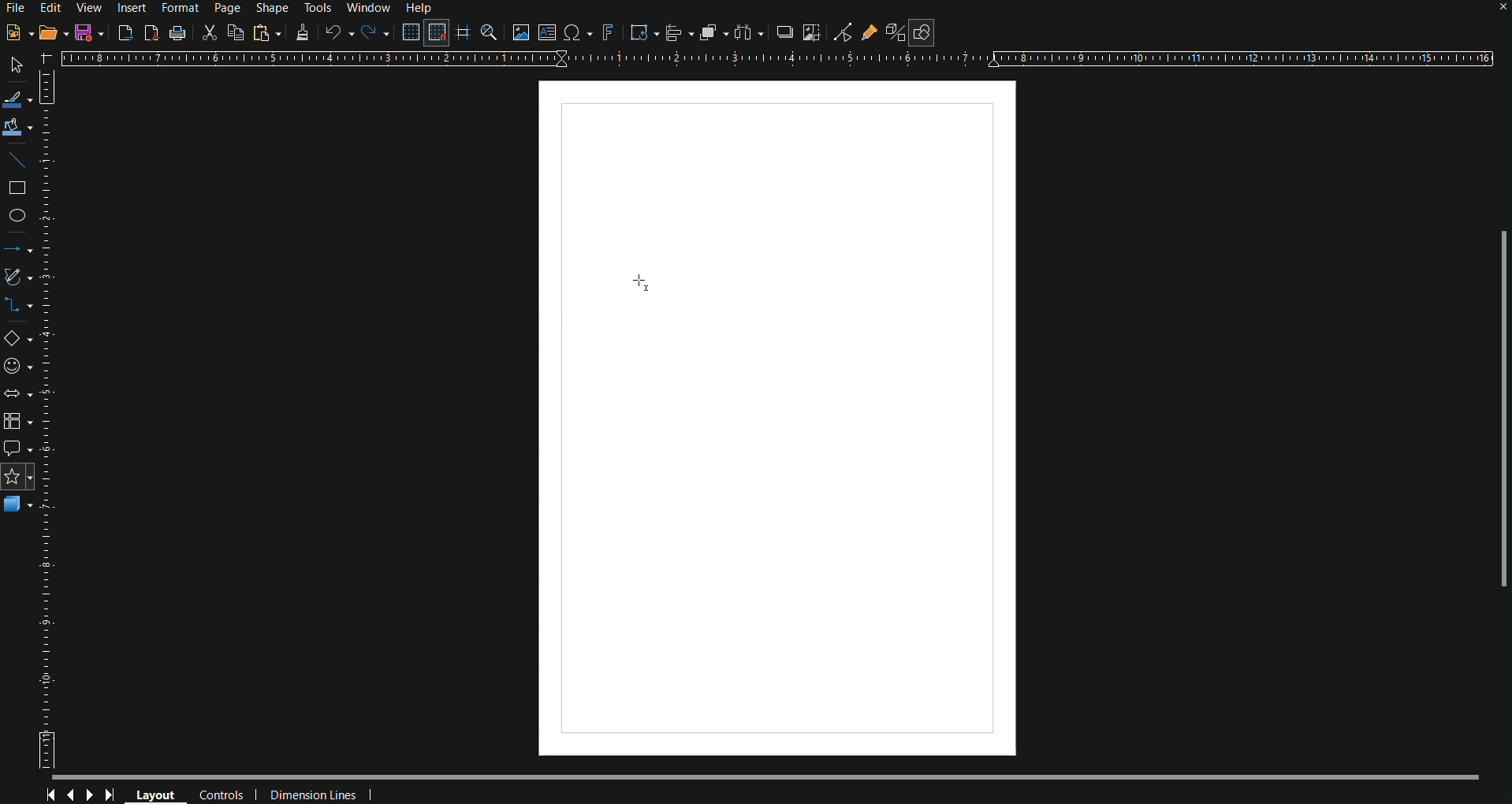 The height and width of the screenshot is (804, 1512). Describe the element at coordinates (577, 34) in the screenshot. I see `Insert Special Character` at that location.